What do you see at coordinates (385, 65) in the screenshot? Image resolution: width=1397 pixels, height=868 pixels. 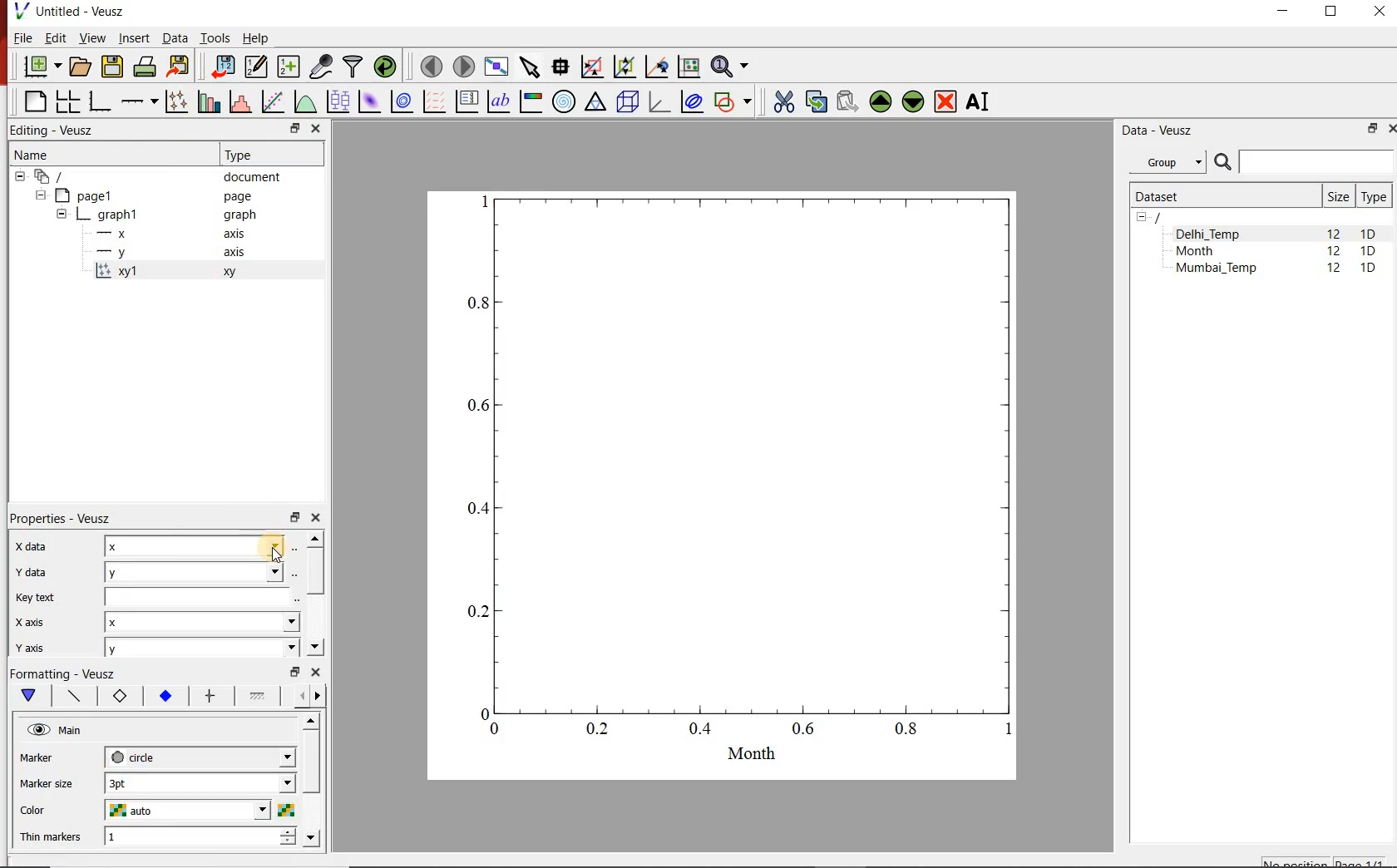 I see `reload linked datasets` at bounding box center [385, 65].